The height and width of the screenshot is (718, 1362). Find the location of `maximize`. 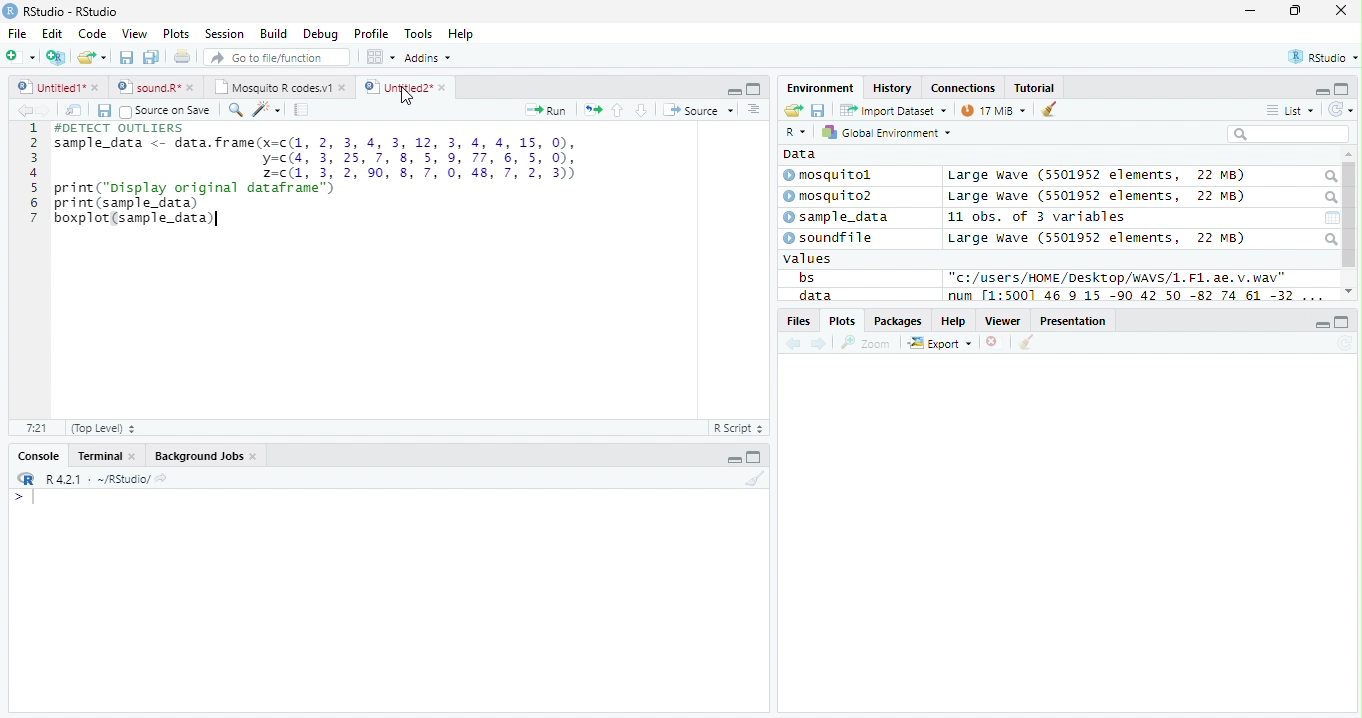

maximize is located at coordinates (1294, 10).